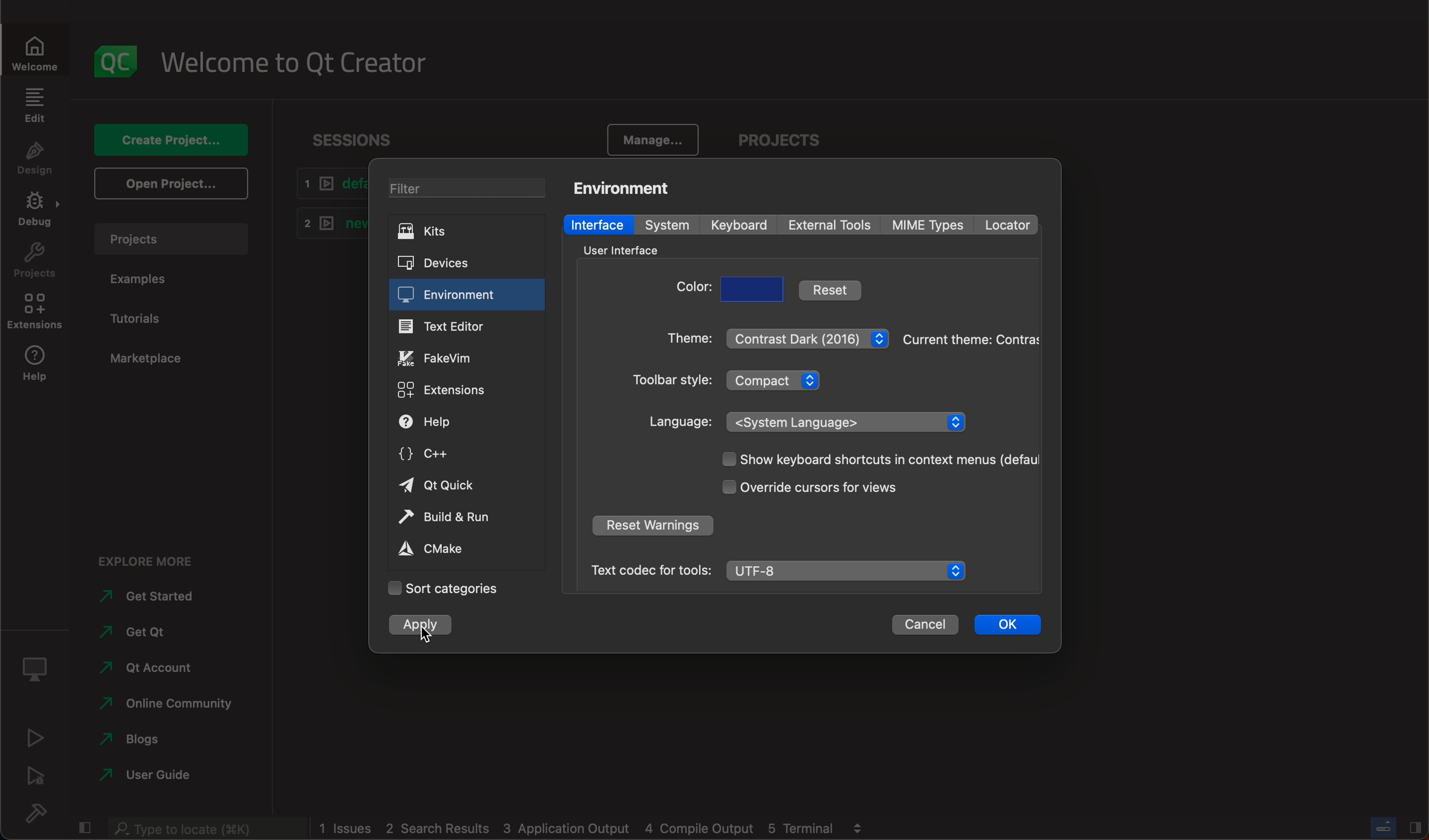 This screenshot has width=1429, height=840. What do you see at coordinates (152, 555) in the screenshot?
I see `explore more` at bounding box center [152, 555].